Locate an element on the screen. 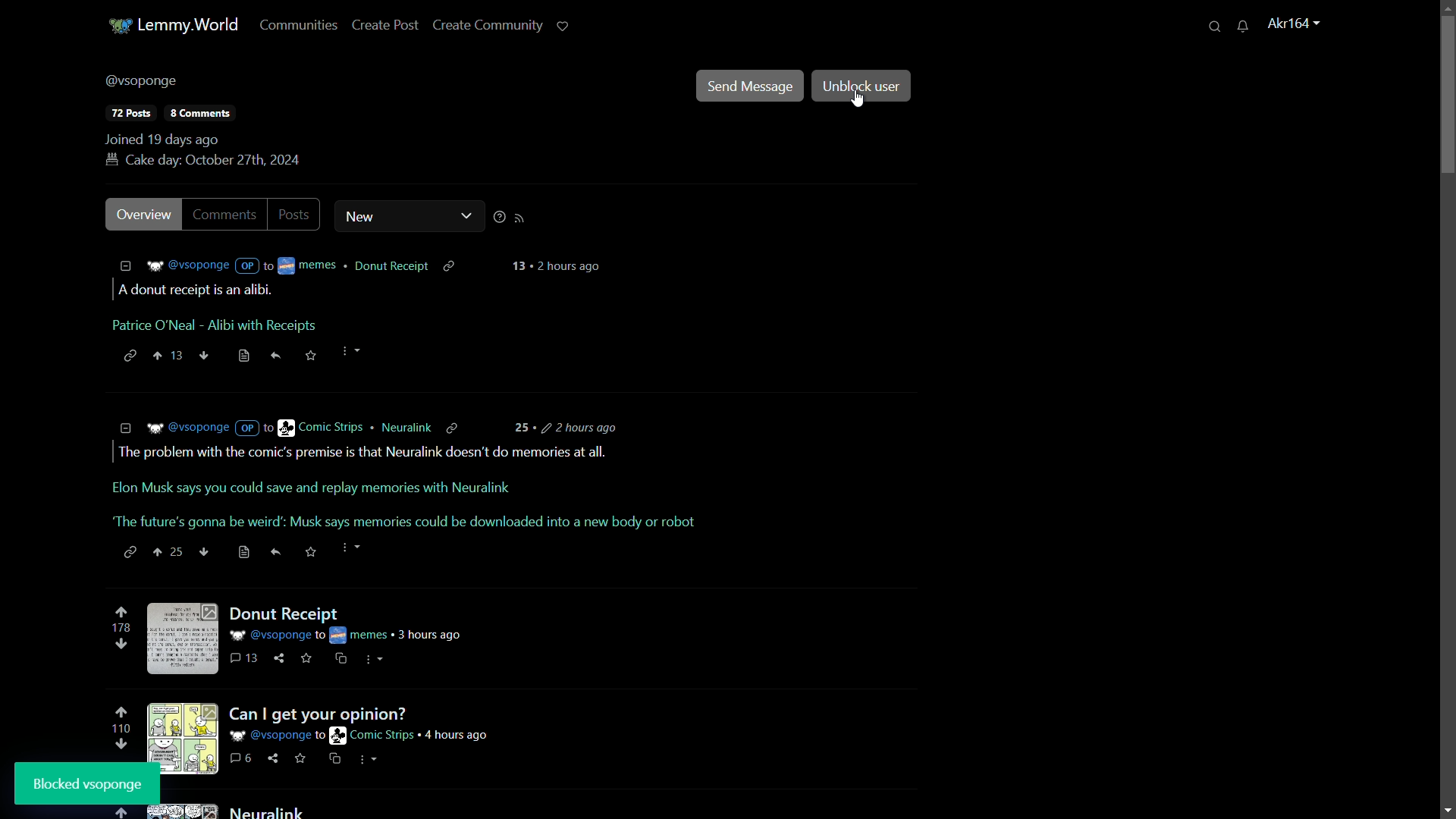 The width and height of the screenshot is (1456, 819). comments is located at coordinates (199, 113).